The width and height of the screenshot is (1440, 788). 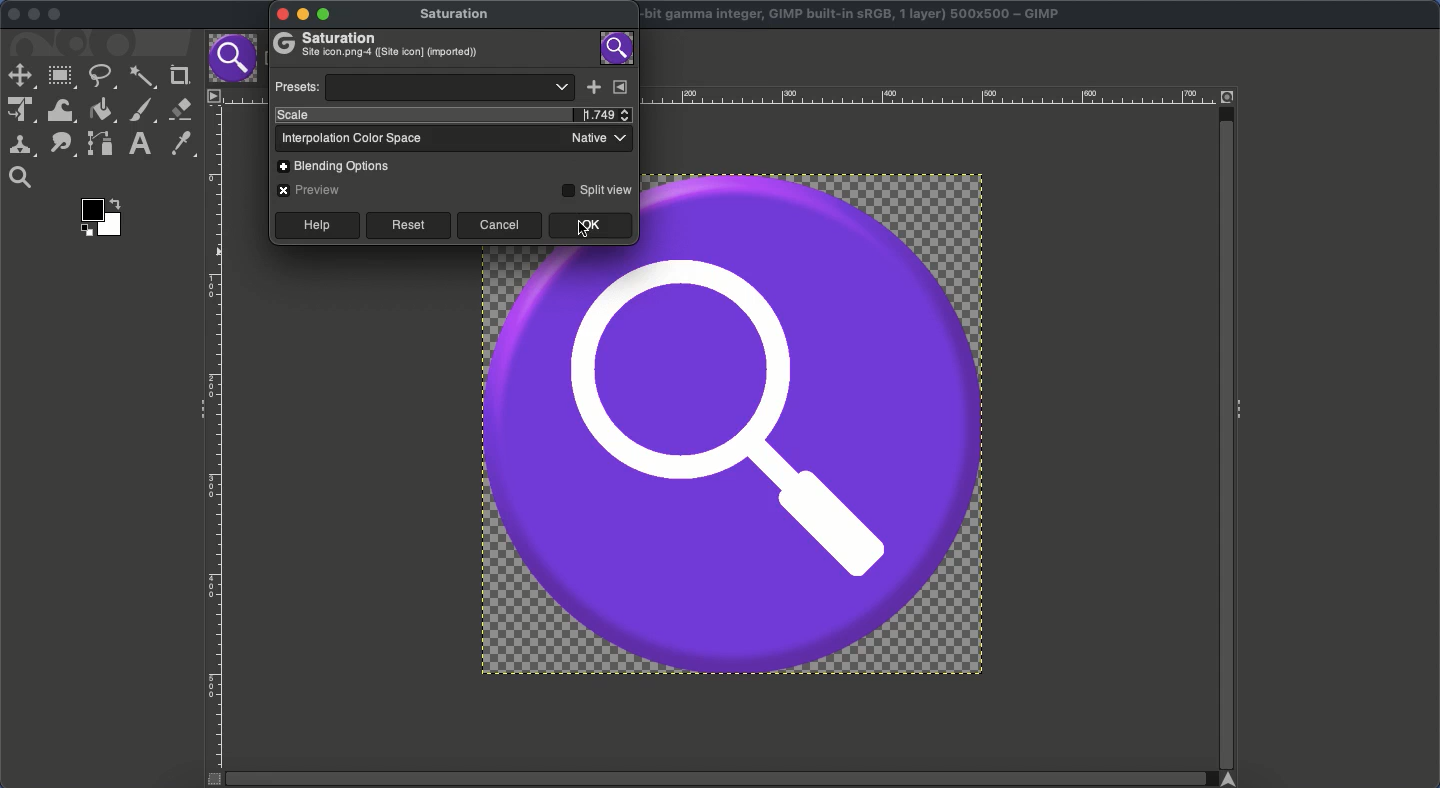 What do you see at coordinates (618, 47) in the screenshot?
I see `Image` at bounding box center [618, 47].